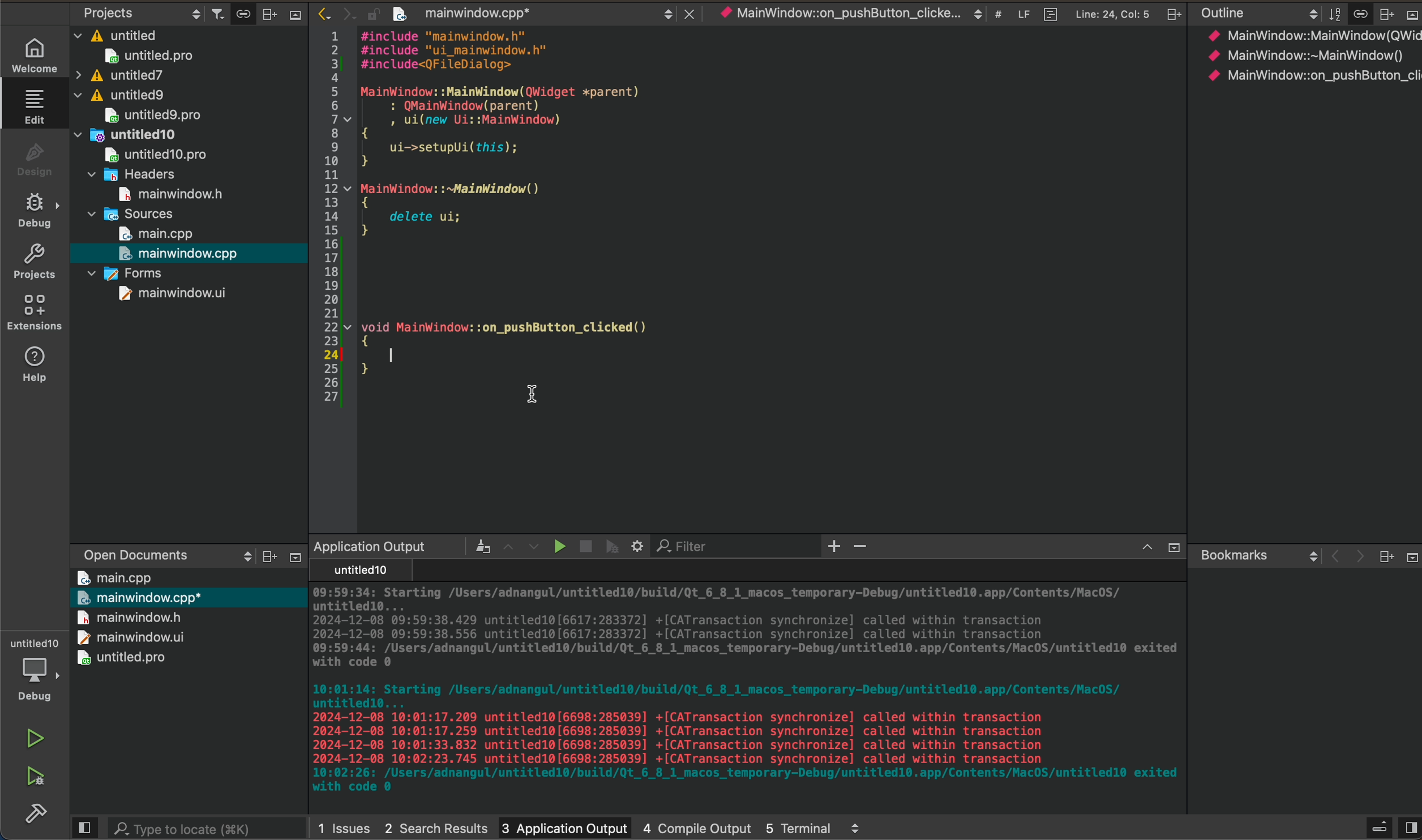 The image size is (1422, 840). Describe the element at coordinates (317, 12) in the screenshot. I see `back` at that location.